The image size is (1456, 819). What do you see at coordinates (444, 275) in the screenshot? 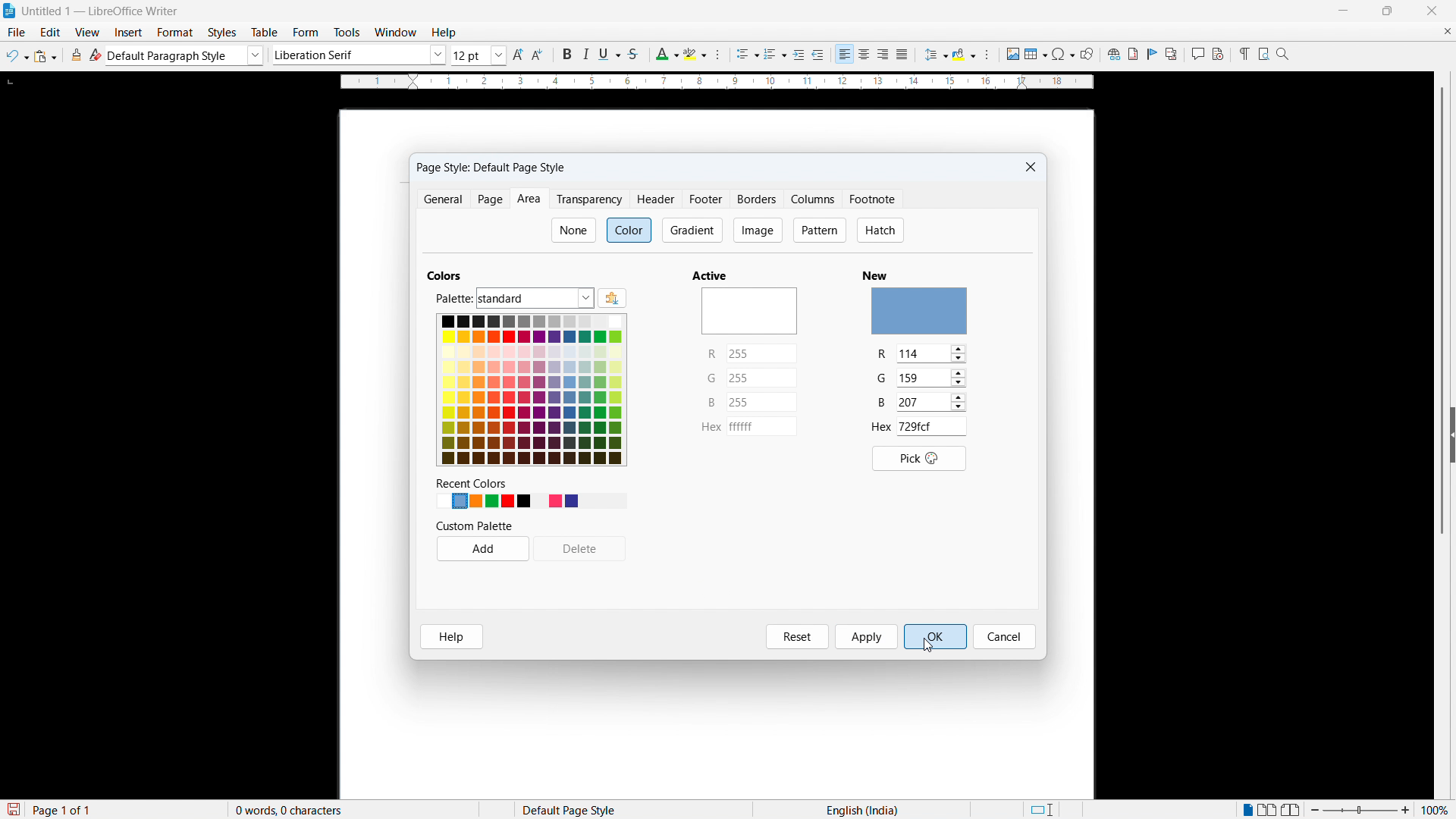
I see `Colour ` at bounding box center [444, 275].